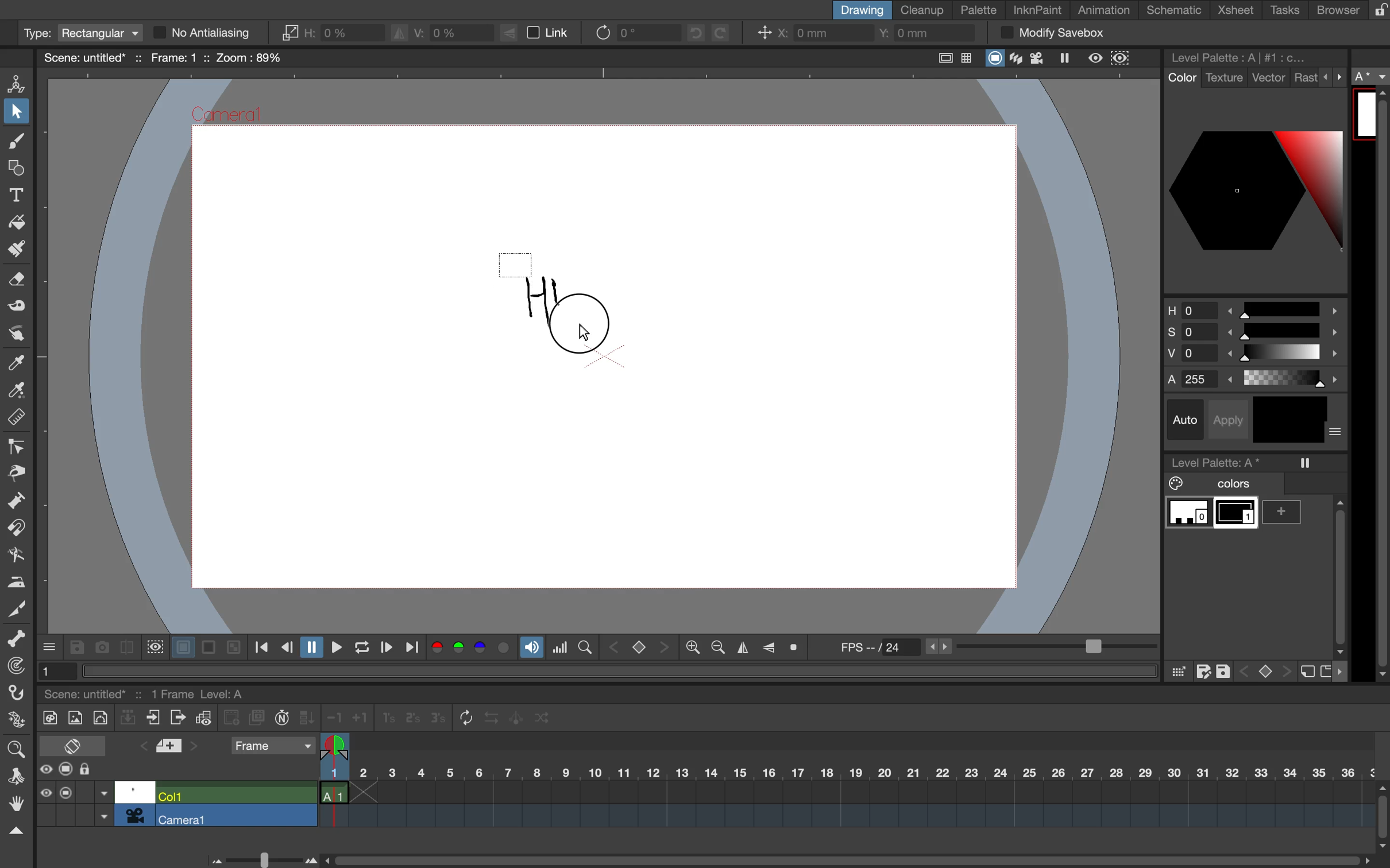 The width and height of the screenshot is (1390, 868). What do you see at coordinates (414, 648) in the screenshot?
I see `last frame` at bounding box center [414, 648].